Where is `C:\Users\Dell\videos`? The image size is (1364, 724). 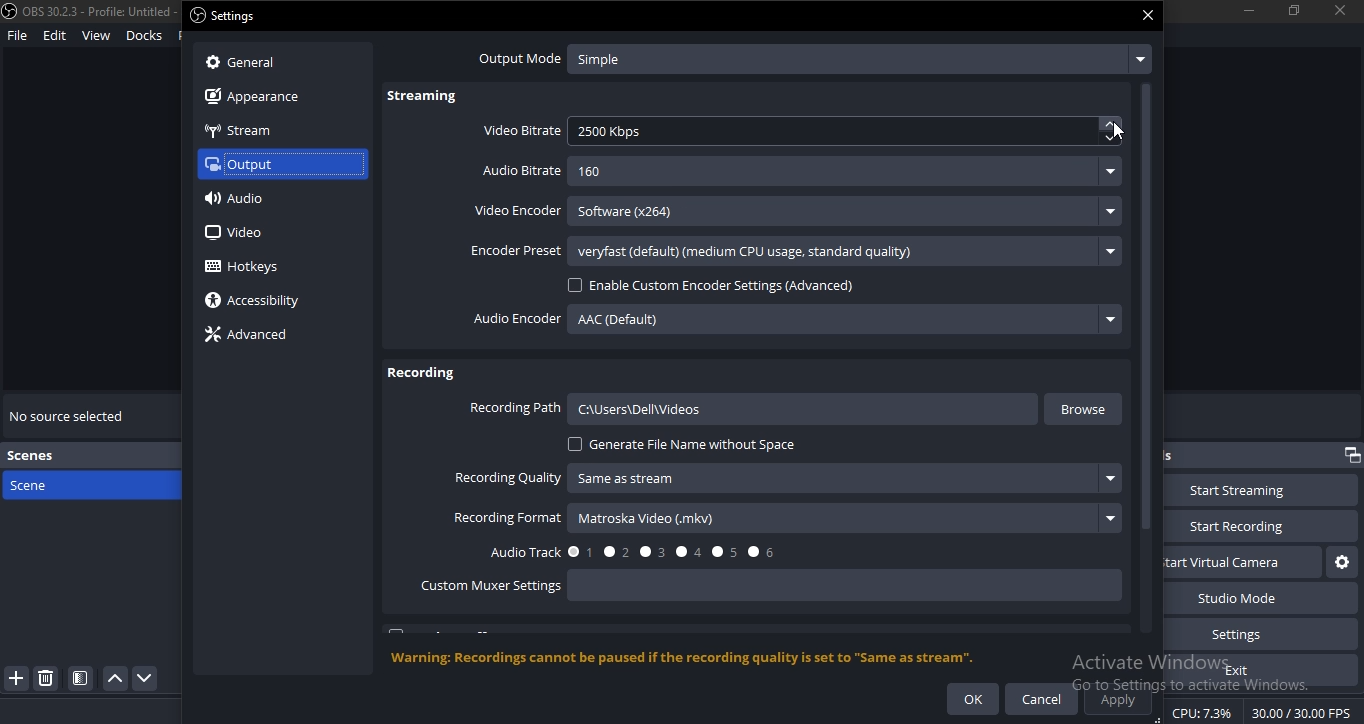
C:\Users\Dell\videos is located at coordinates (804, 408).